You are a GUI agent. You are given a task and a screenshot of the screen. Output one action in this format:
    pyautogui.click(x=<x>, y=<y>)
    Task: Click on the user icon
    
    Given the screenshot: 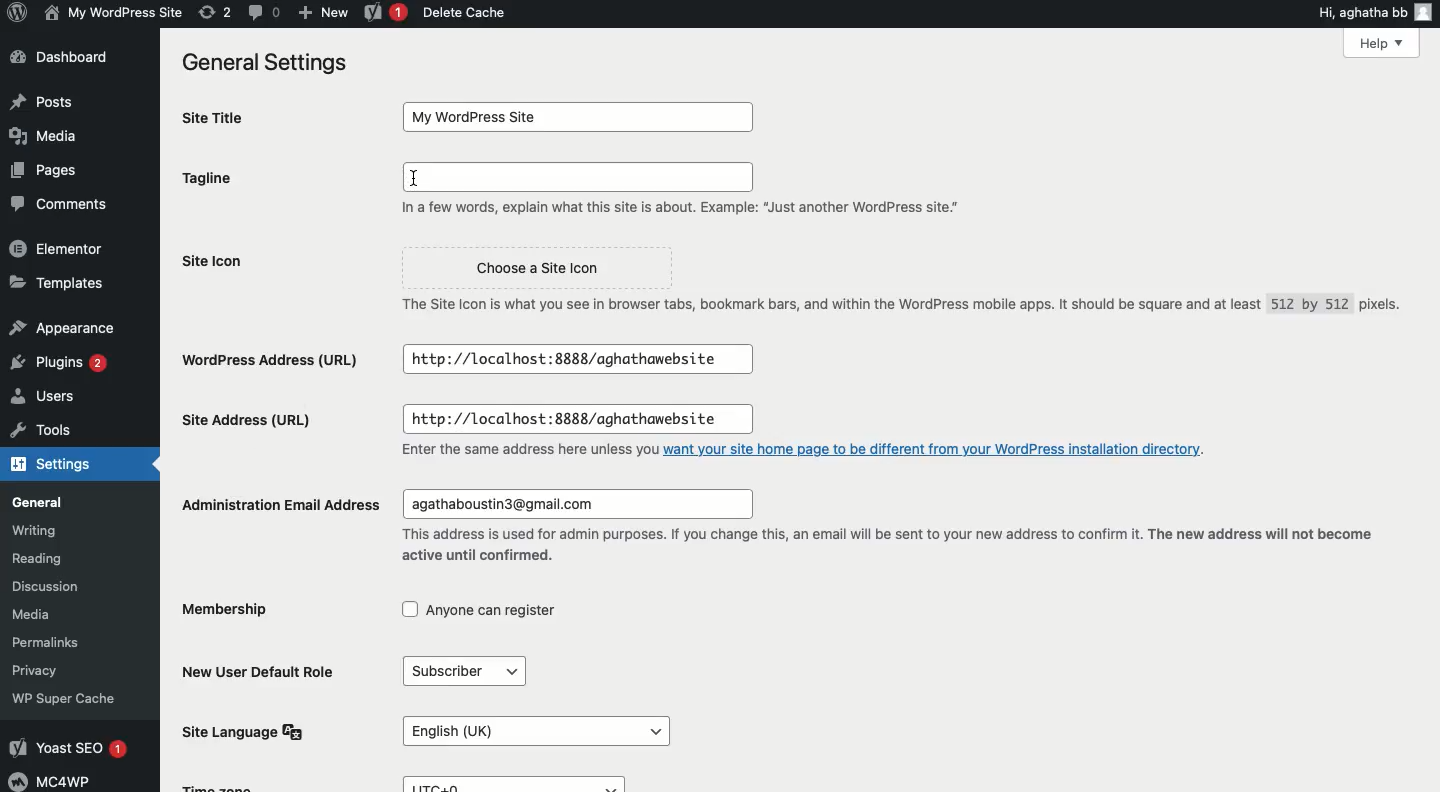 What is the action you would take?
    pyautogui.click(x=1426, y=11)
    